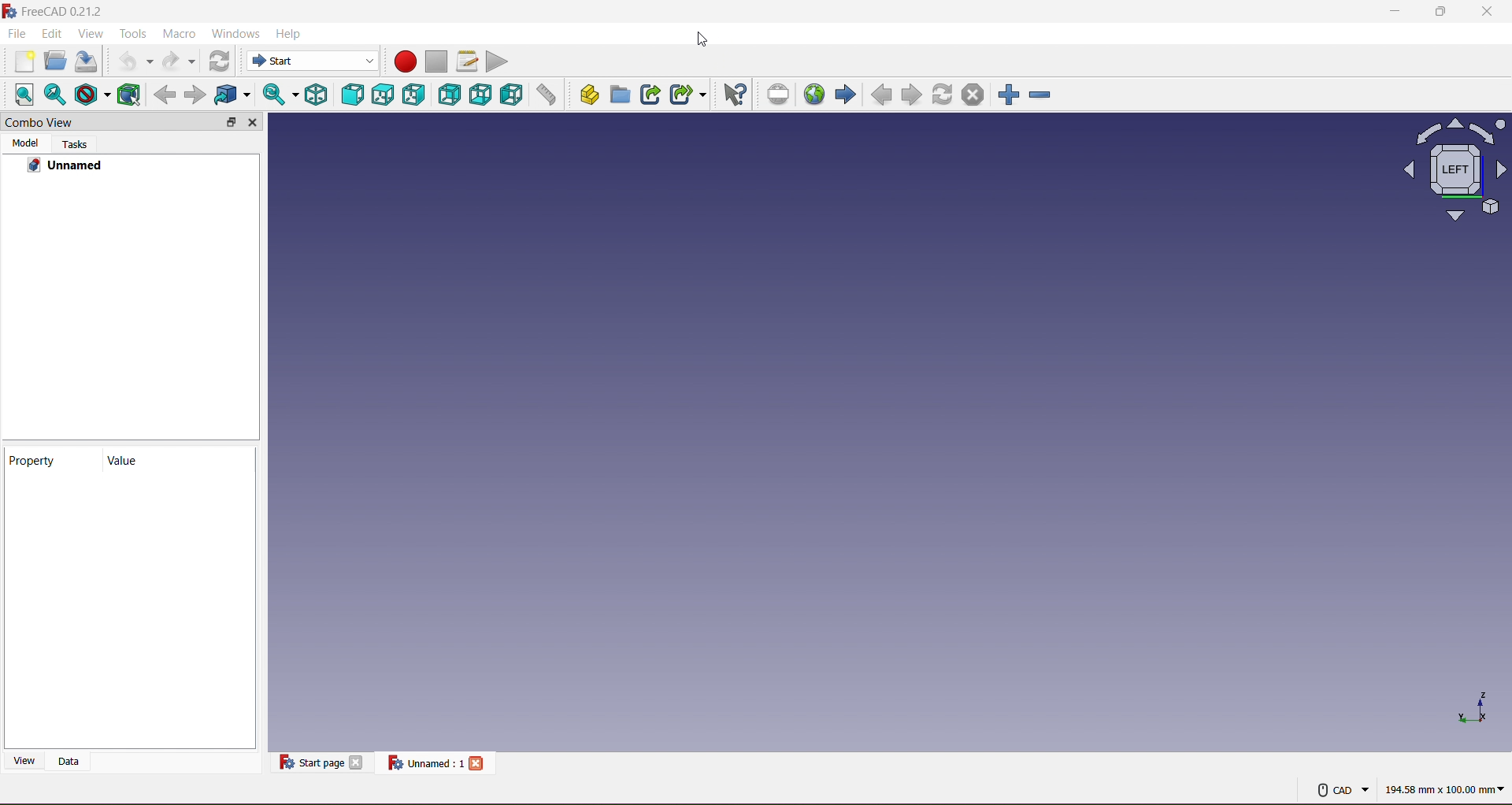 The image size is (1512, 805). Describe the element at coordinates (1443, 787) in the screenshot. I see `Measurement in mm ` at that location.